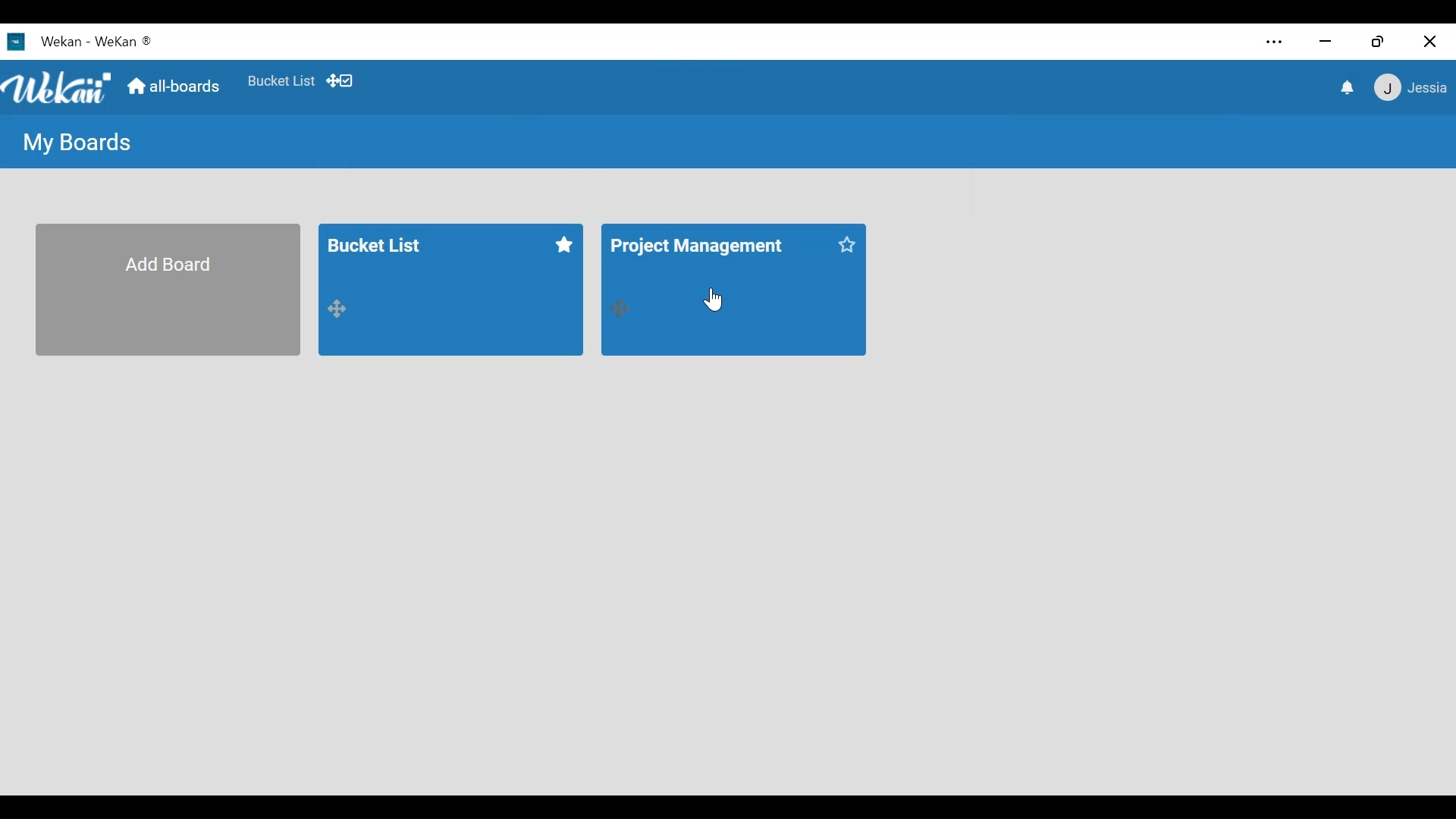  I want to click on member settings, so click(1410, 89).